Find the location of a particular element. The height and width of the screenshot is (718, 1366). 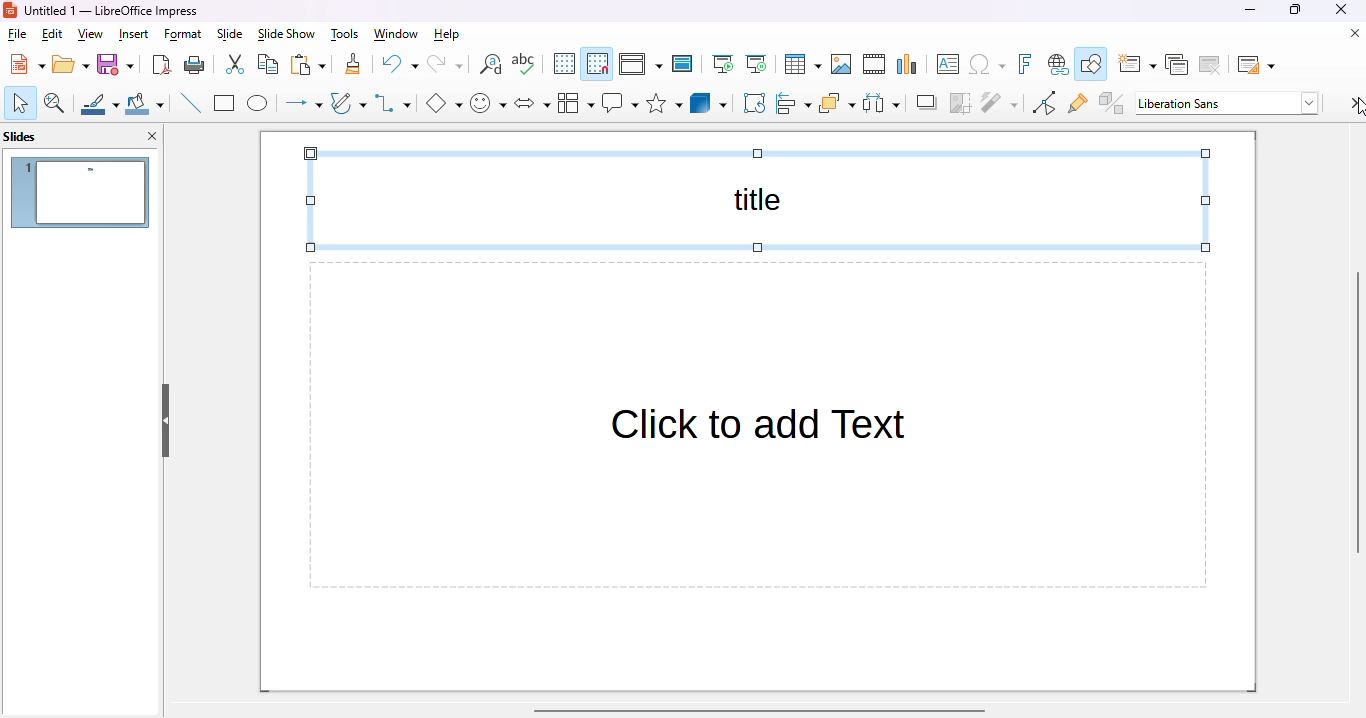

Untitled 1 - LibreOffice Impress is located at coordinates (112, 10).